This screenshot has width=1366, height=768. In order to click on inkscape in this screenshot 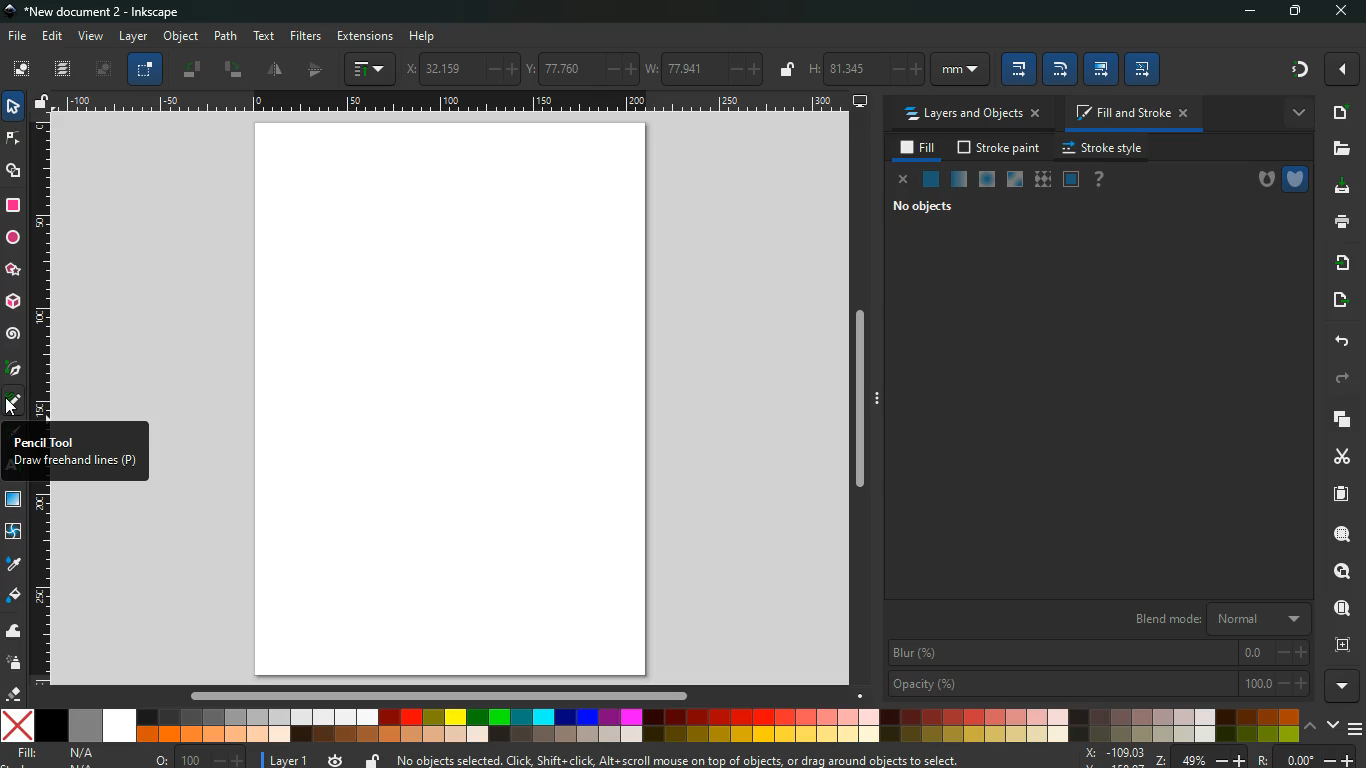, I will do `click(106, 11)`.